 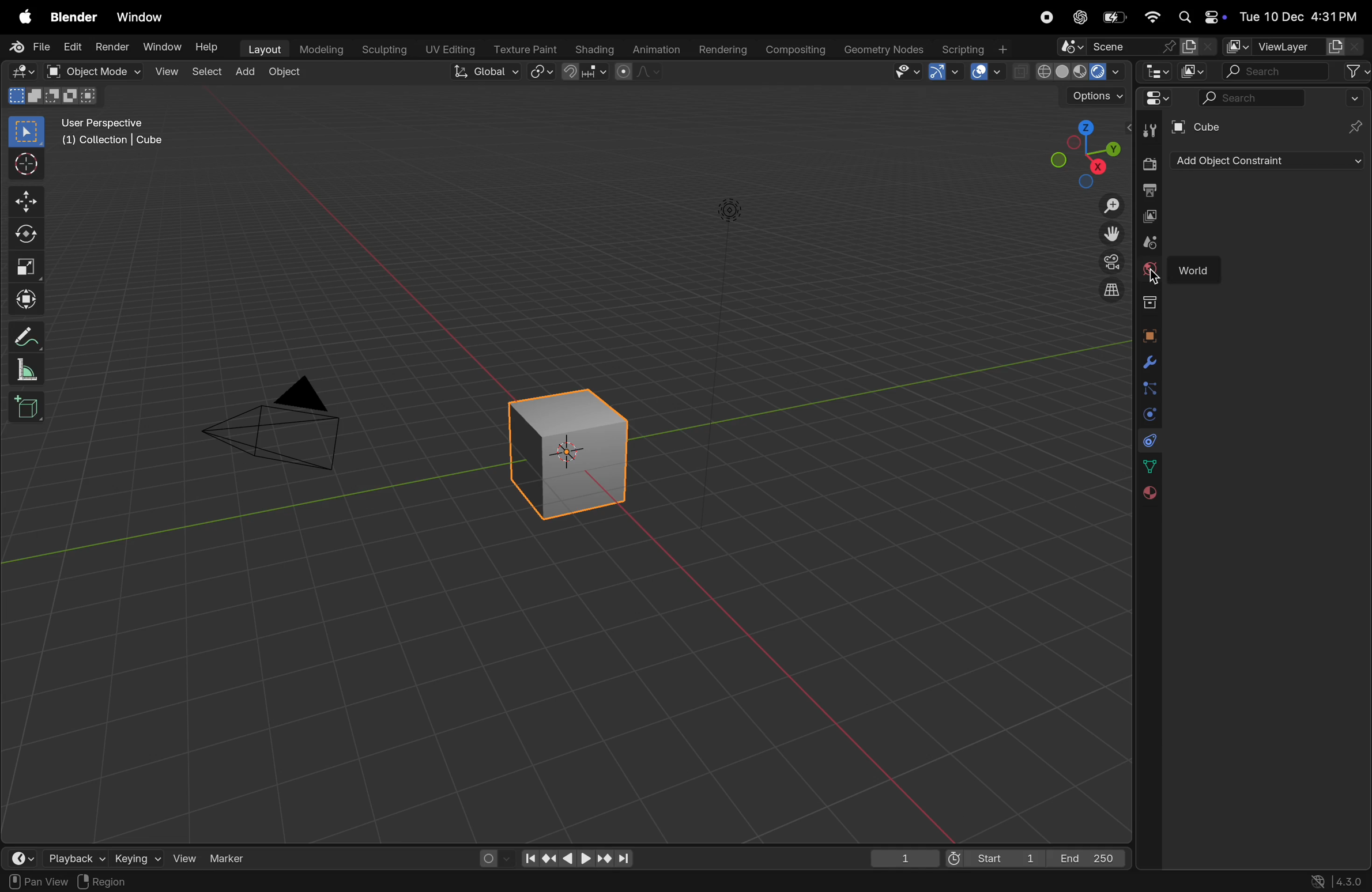 I want to click on Visibility, so click(x=907, y=72).